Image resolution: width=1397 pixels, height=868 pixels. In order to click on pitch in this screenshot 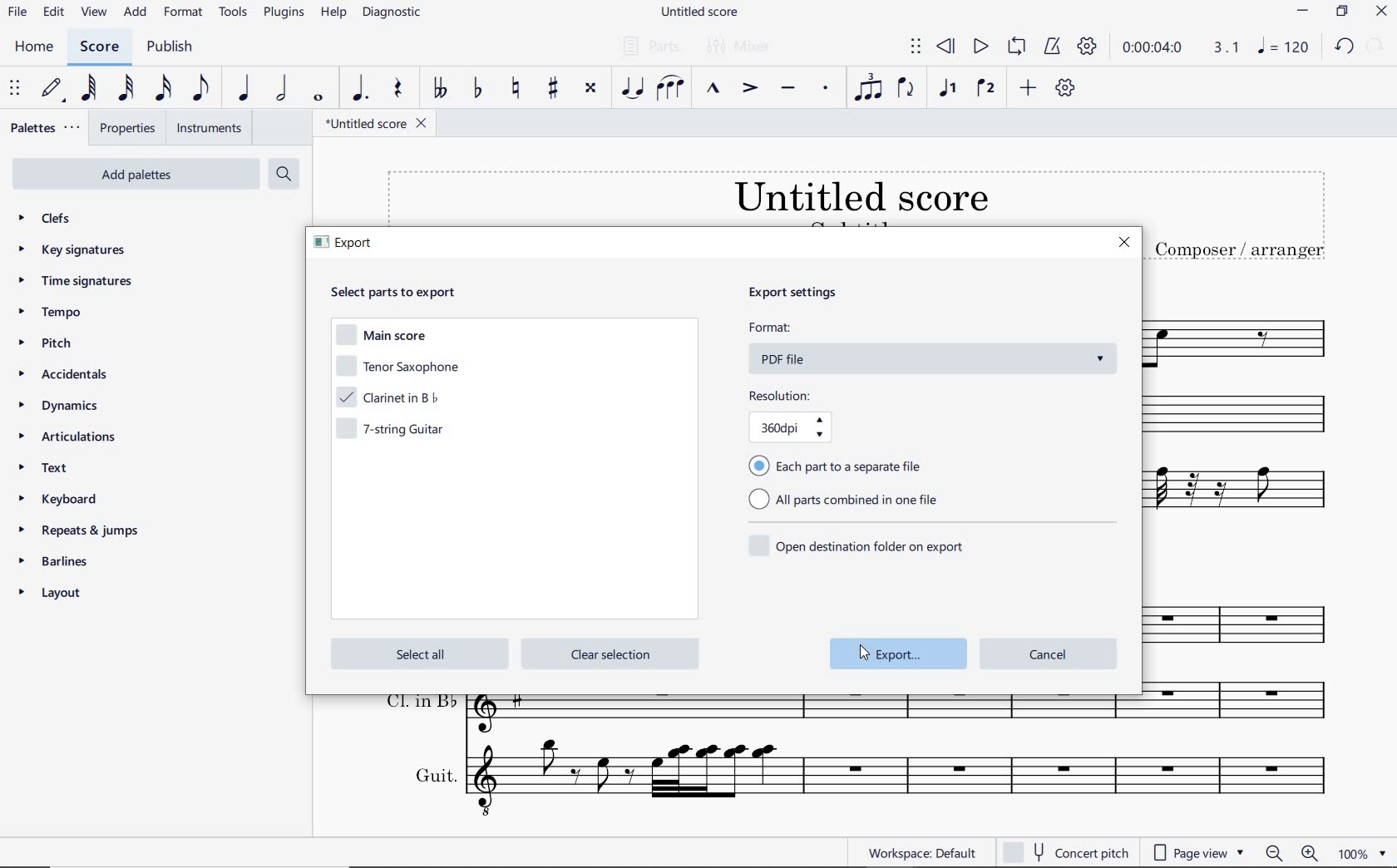, I will do `click(47, 345)`.